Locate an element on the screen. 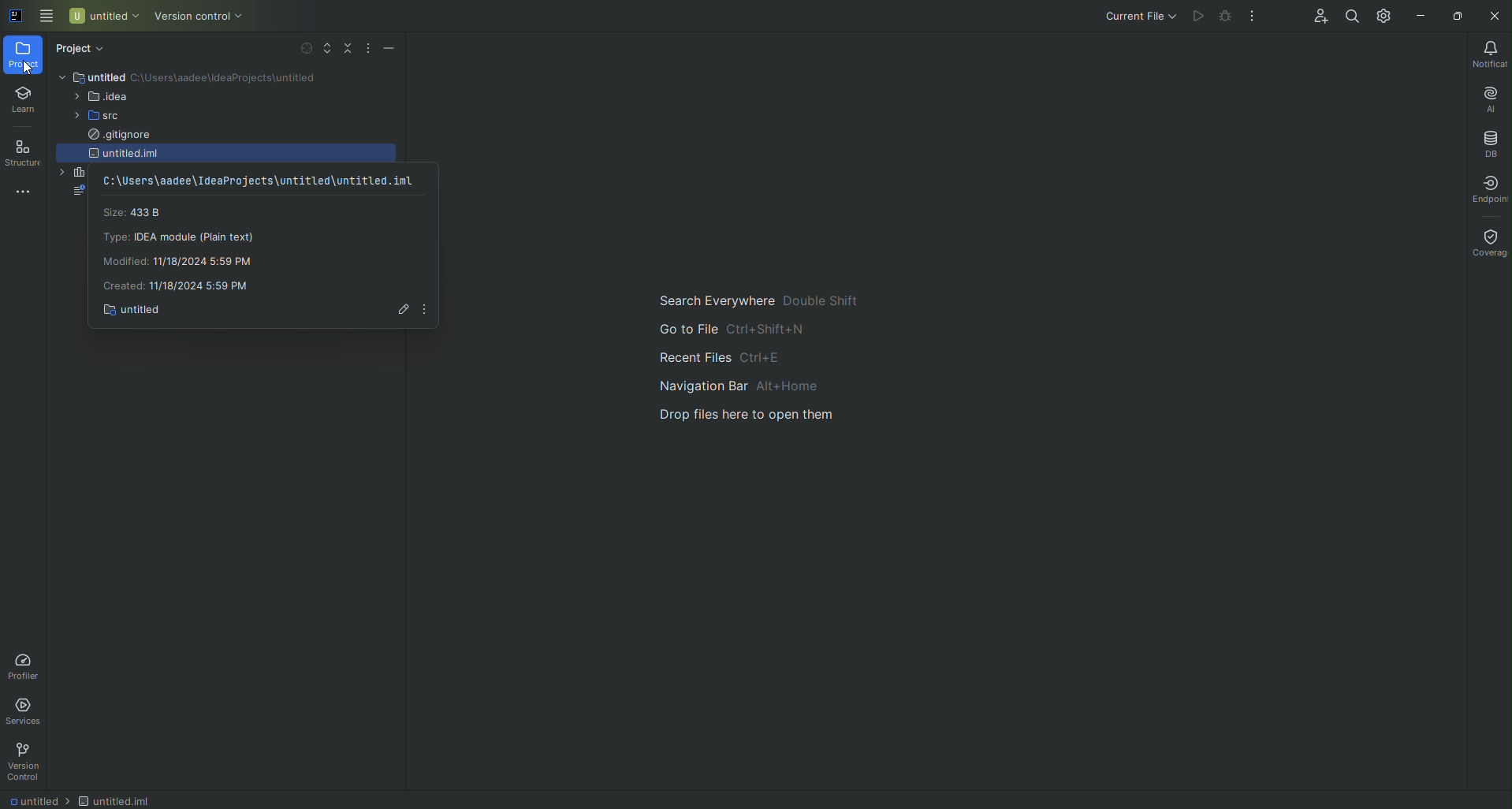 Image resolution: width=1512 pixels, height=809 pixels. Details of the file like the size,type,modified and created date. is located at coordinates (188, 248).